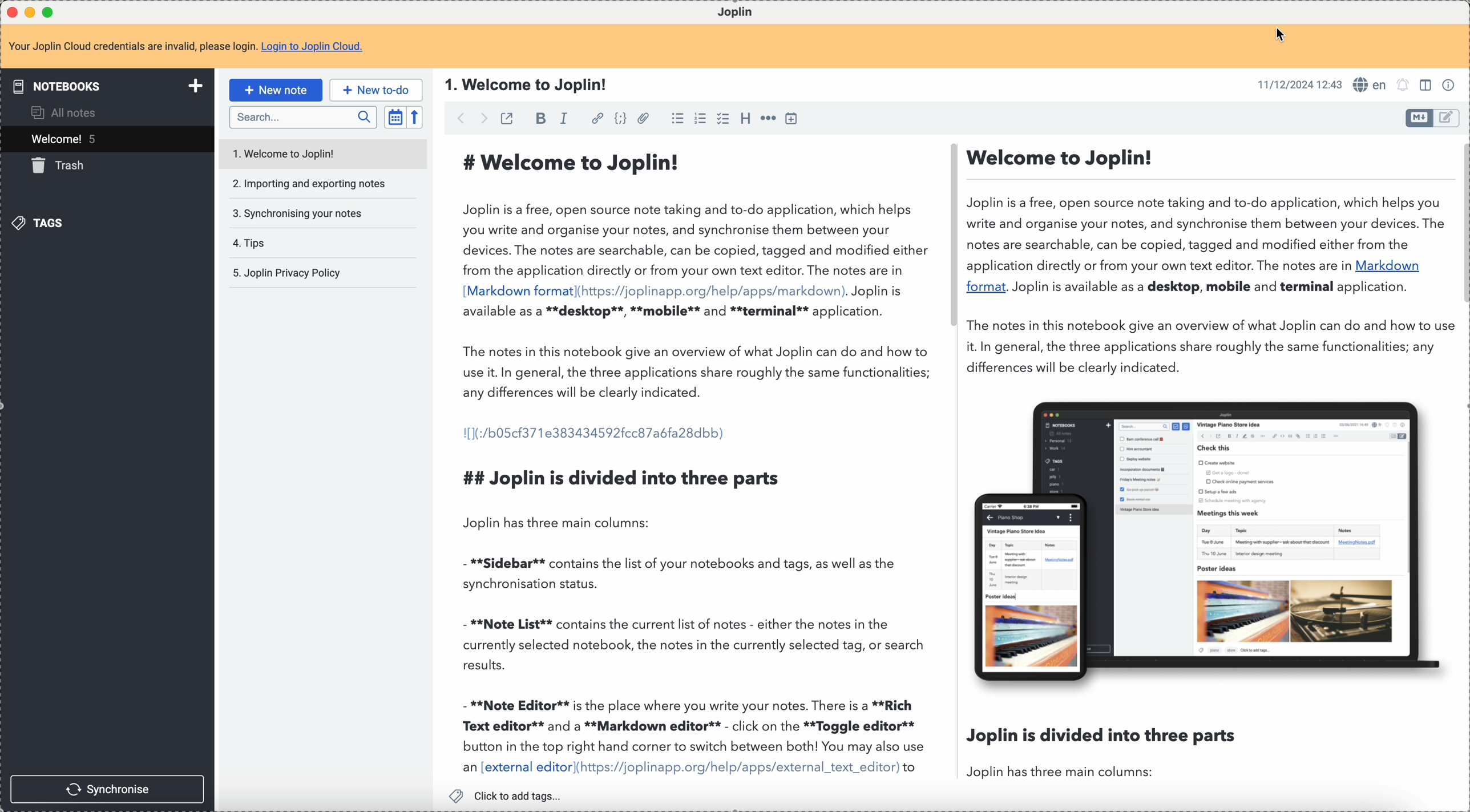  Describe the element at coordinates (598, 118) in the screenshot. I see `hyperlink` at that location.